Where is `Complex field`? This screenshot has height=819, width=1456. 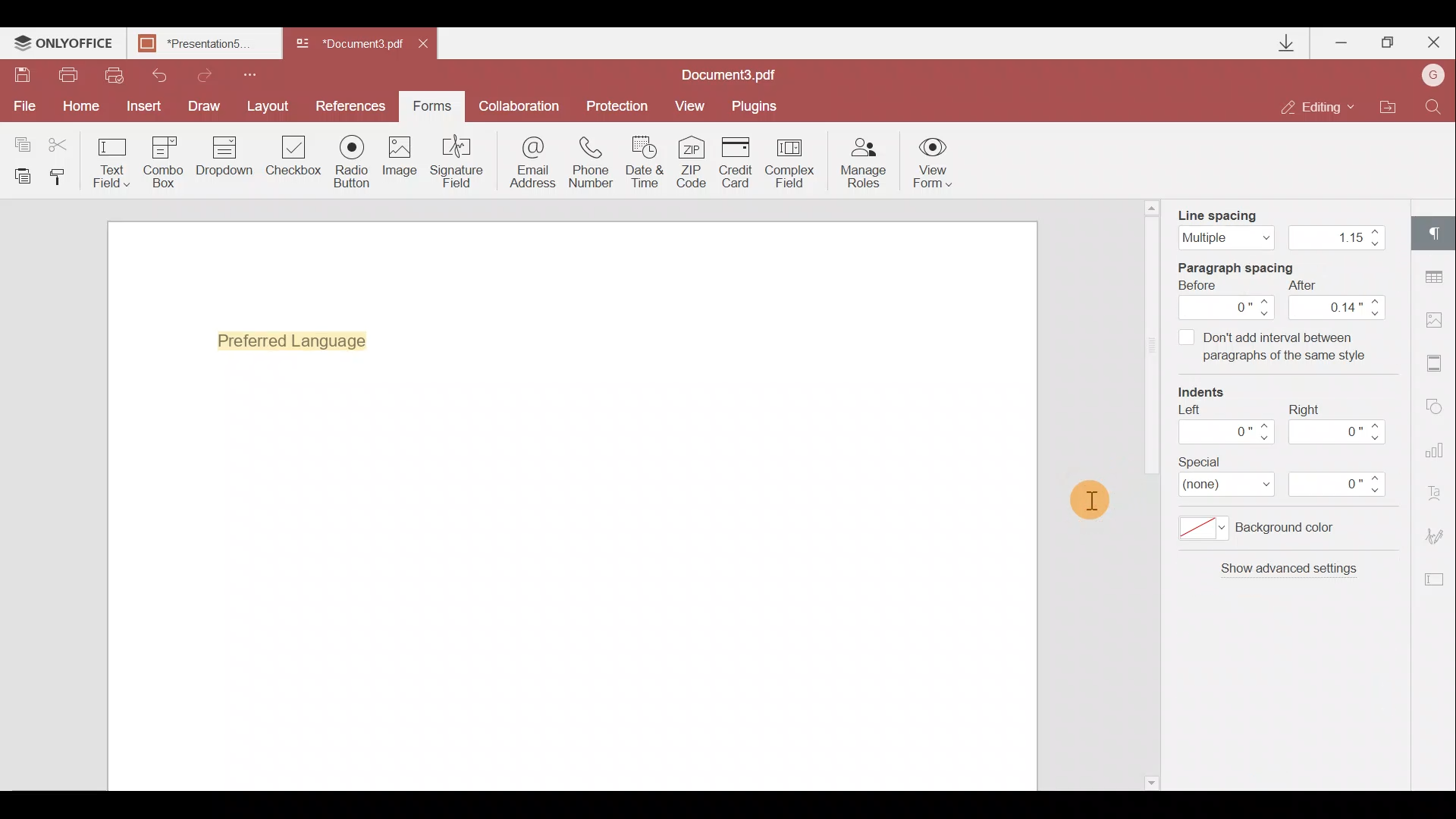
Complex field is located at coordinates (792, 162).